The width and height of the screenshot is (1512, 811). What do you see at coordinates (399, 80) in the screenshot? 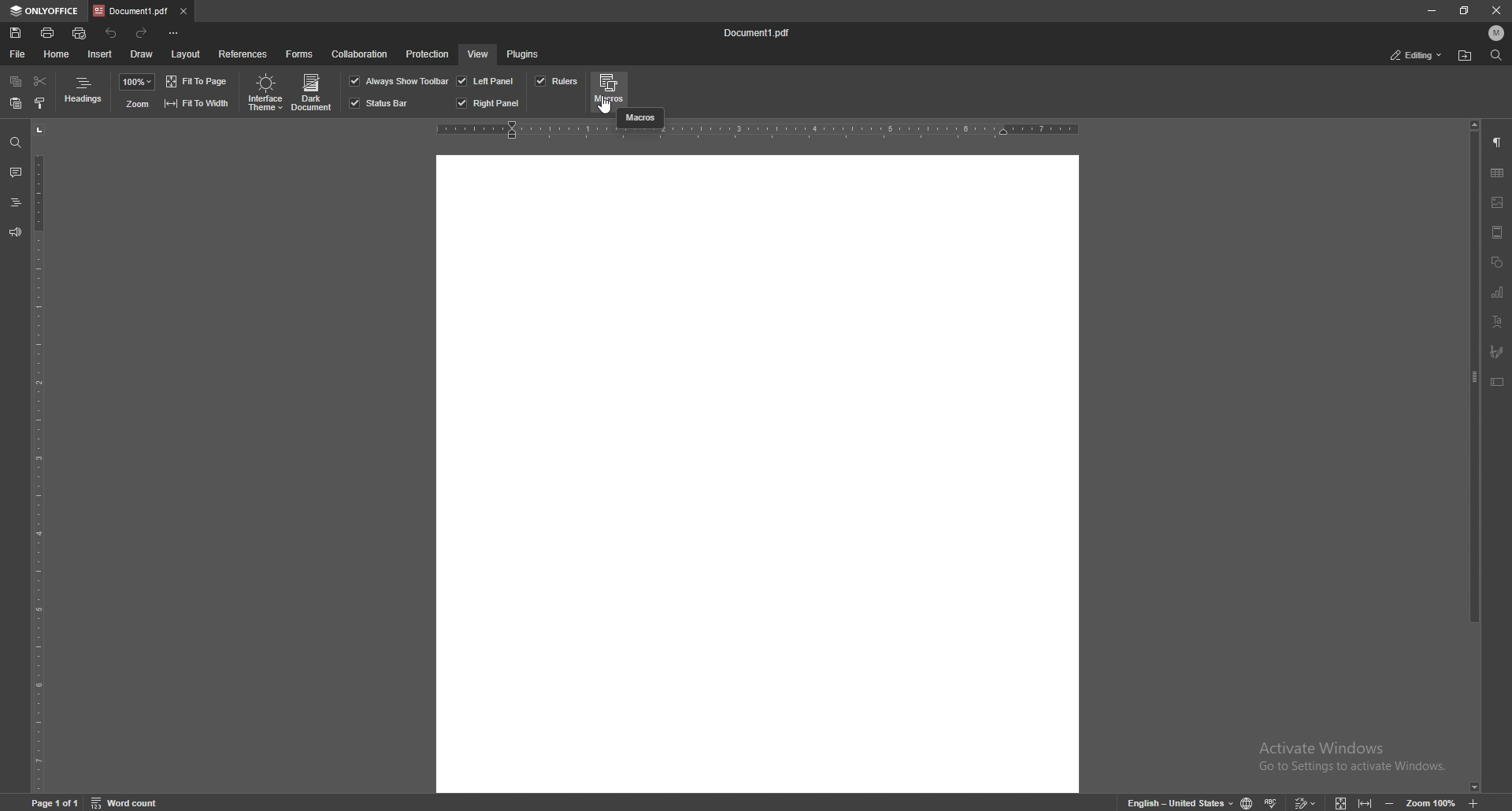
I see `always show toolbar` at bounding box center [399, 80].